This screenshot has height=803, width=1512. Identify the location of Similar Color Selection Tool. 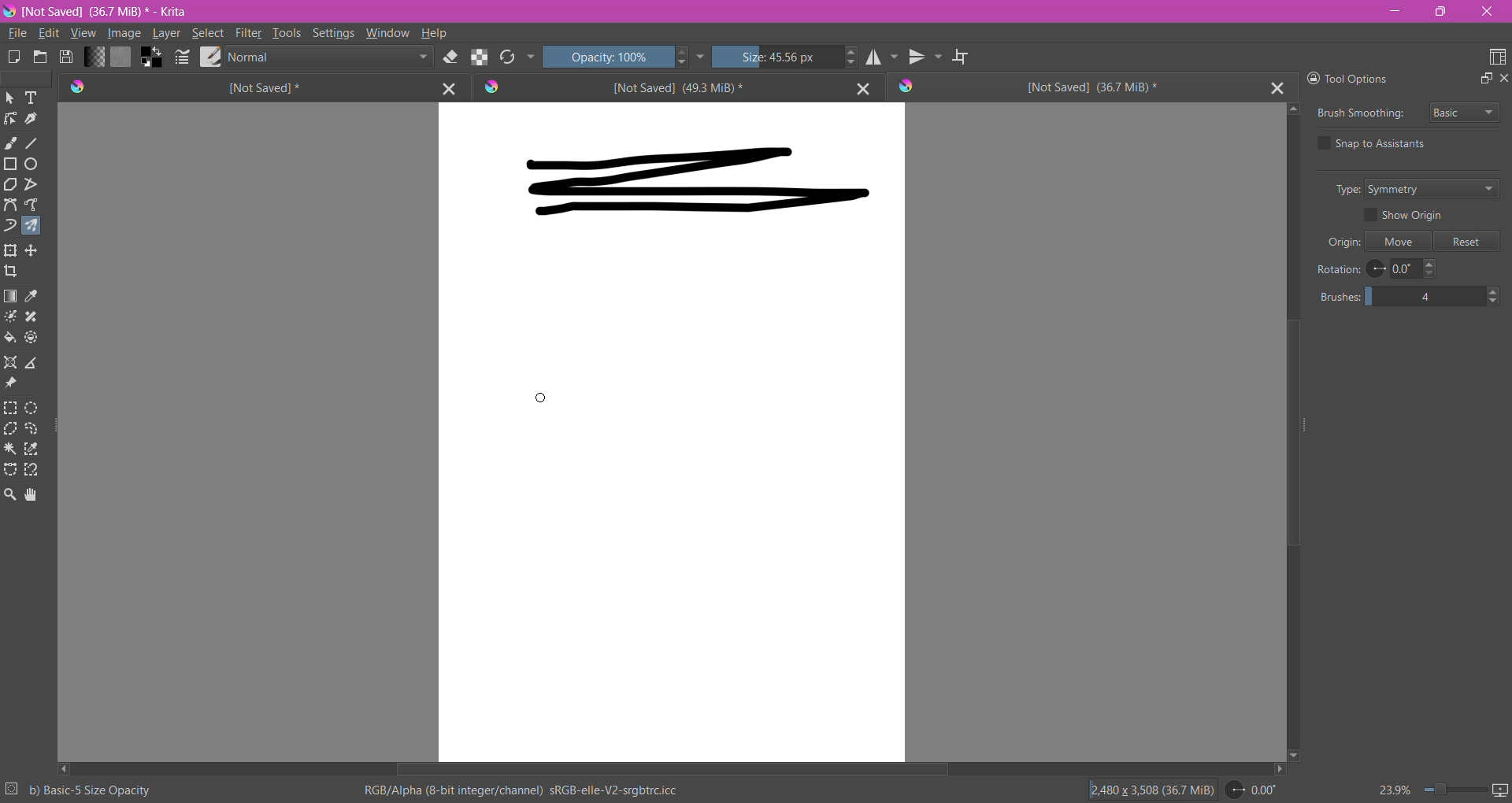
(31, 449).